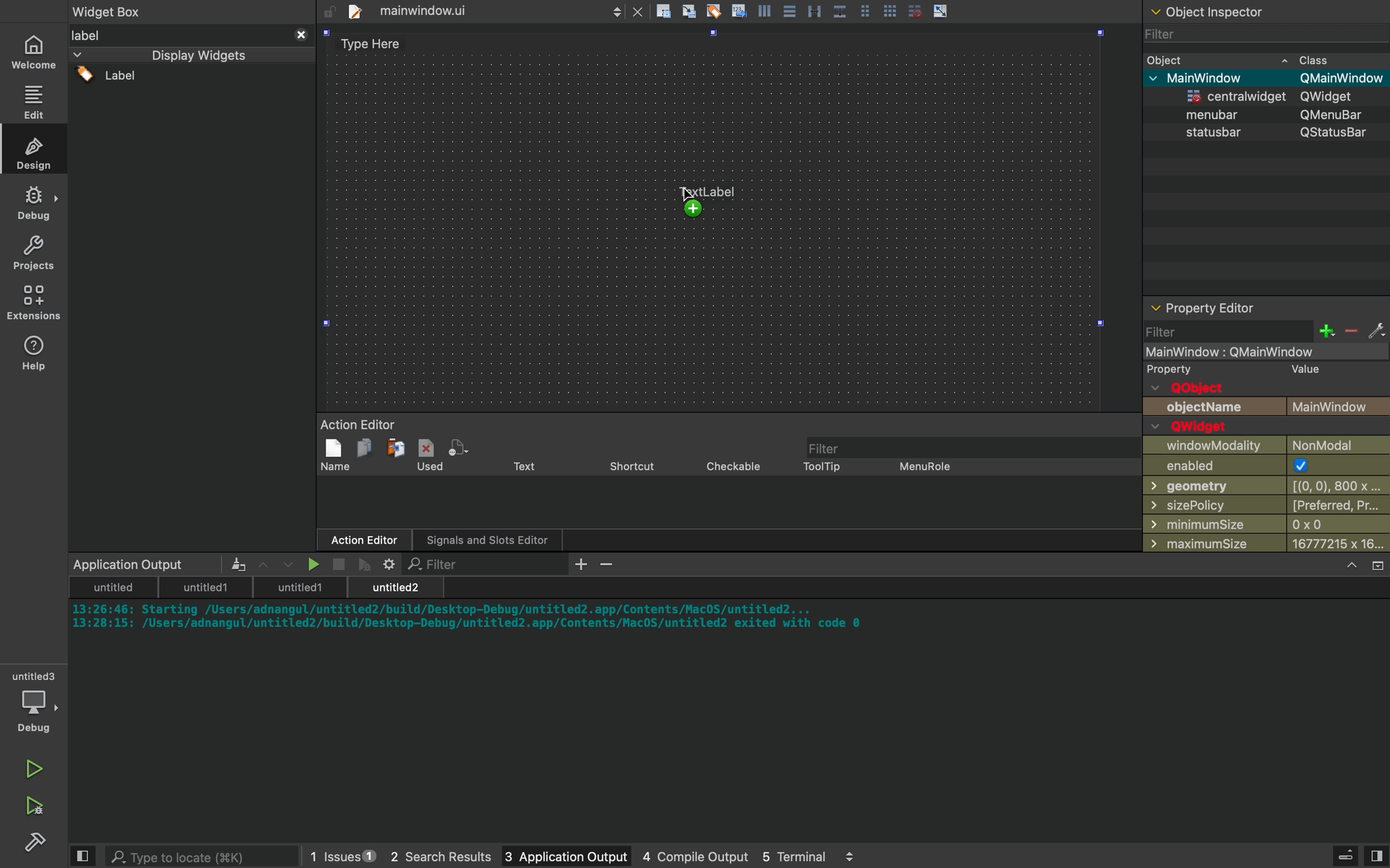  Describe the element at coordinates (34, 352) in the screenshot. I see `help` at that location.